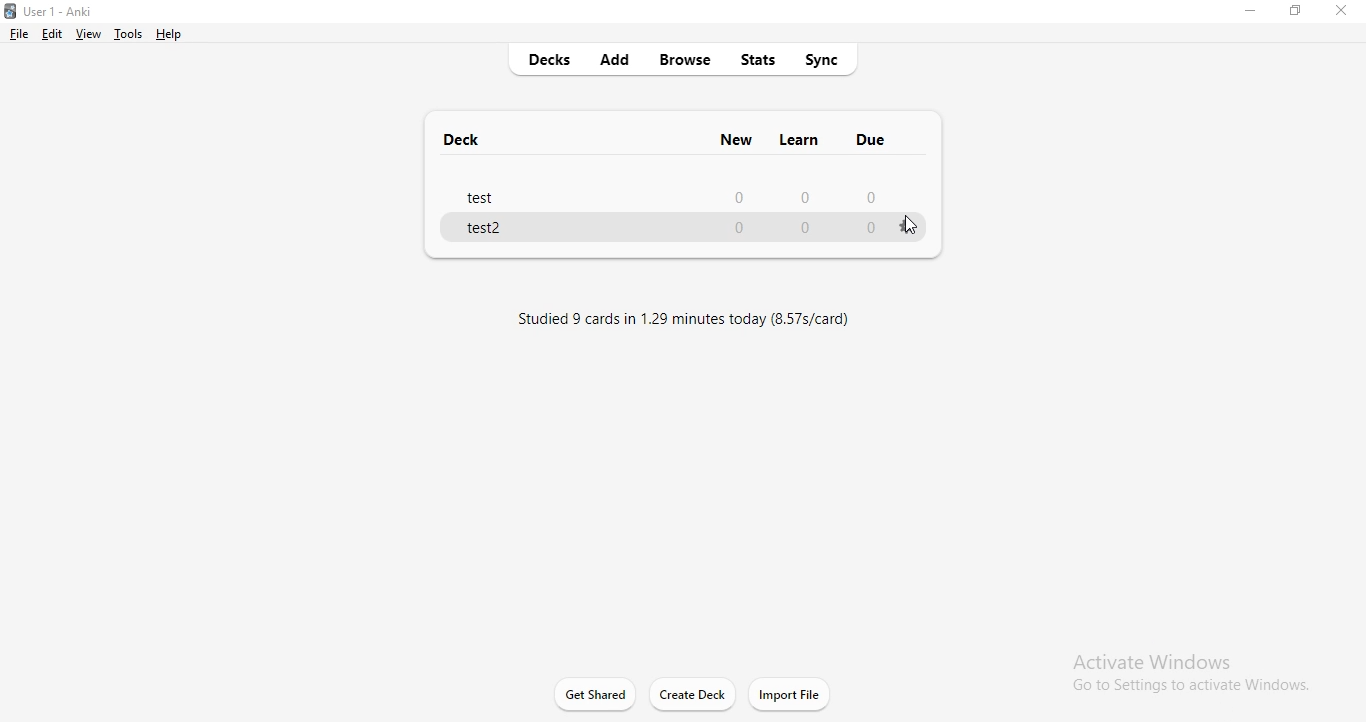  What do you see at coordinates (695, 696) in the screenshot?
I see `create deck` at bounding box center [695, 696].